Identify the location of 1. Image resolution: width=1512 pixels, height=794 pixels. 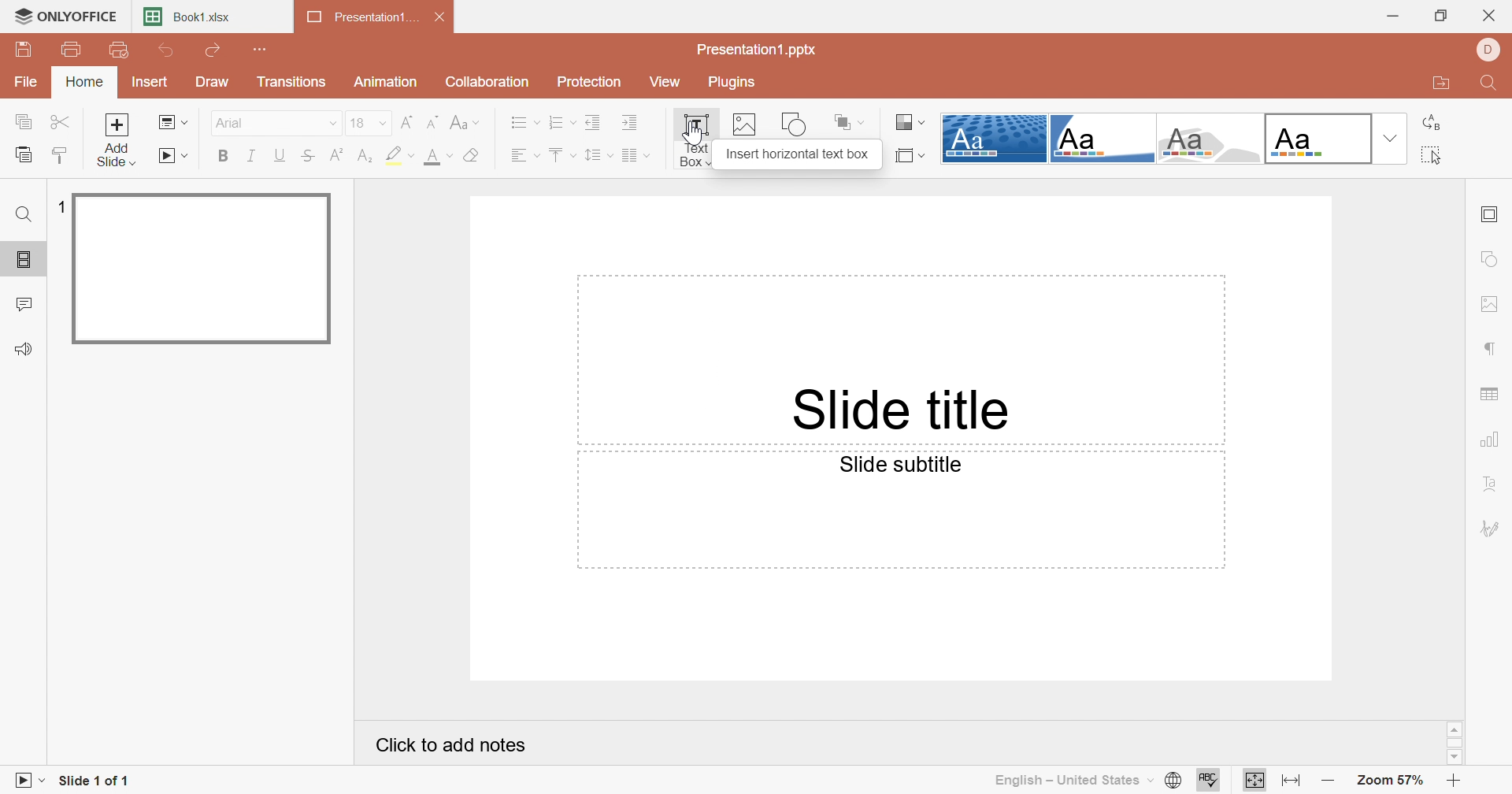
(59, 206).